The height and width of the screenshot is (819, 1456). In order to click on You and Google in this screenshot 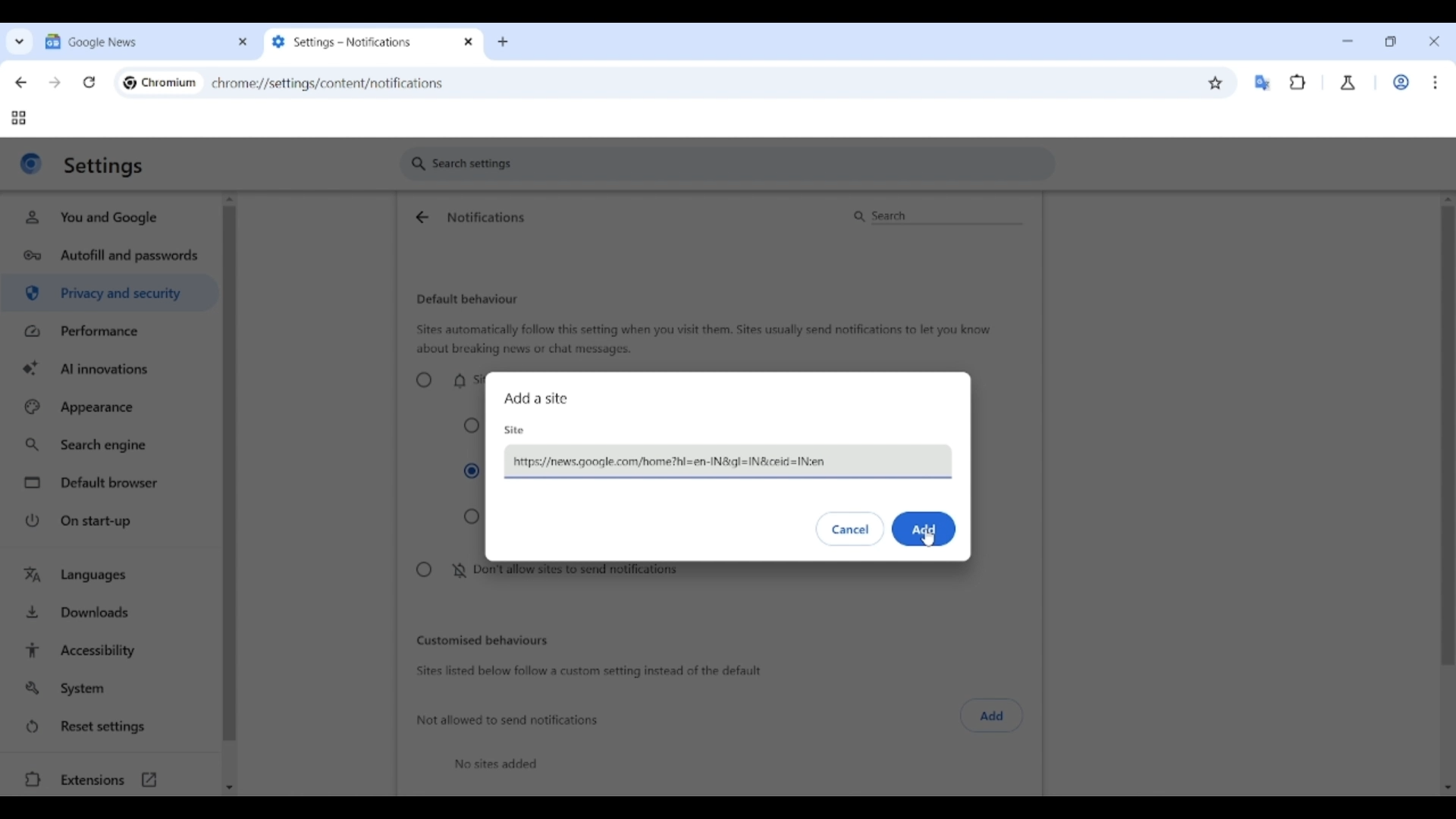, I will do `click(107, 218)`.